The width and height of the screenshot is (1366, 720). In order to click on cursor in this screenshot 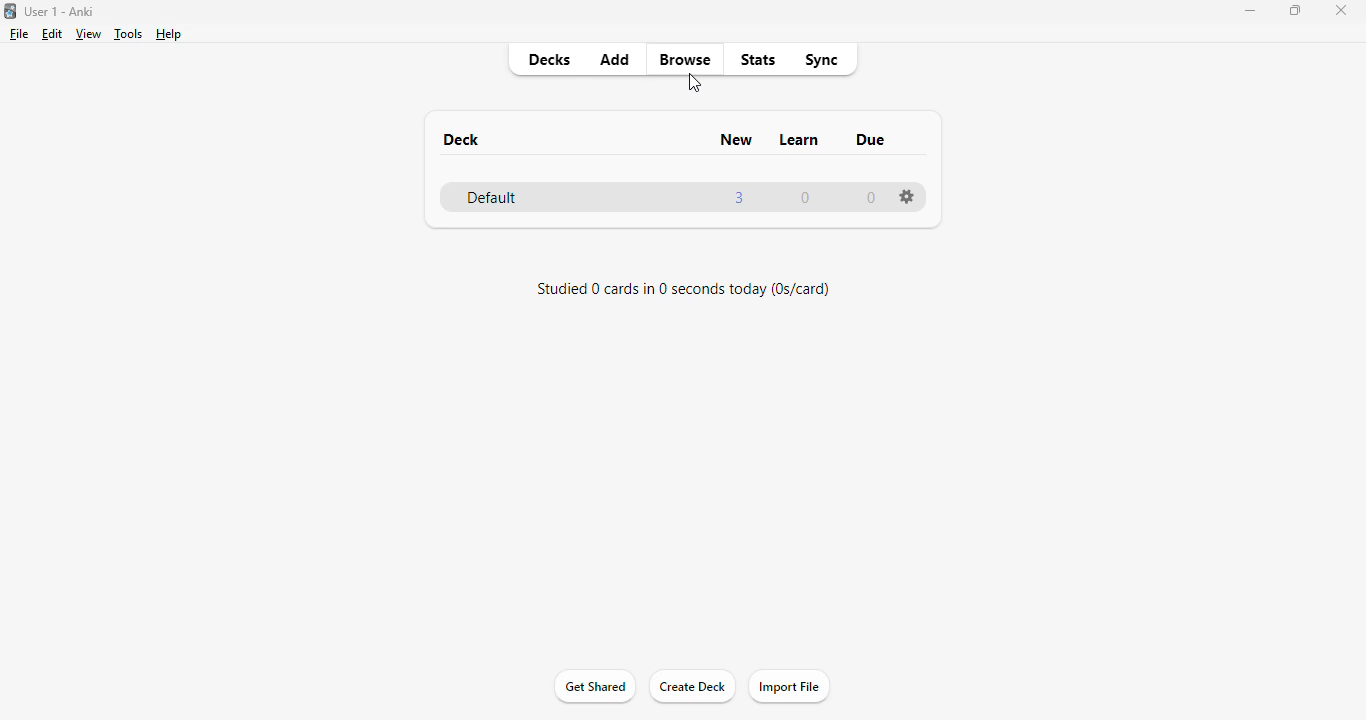, I will do `click(695, 83)`.